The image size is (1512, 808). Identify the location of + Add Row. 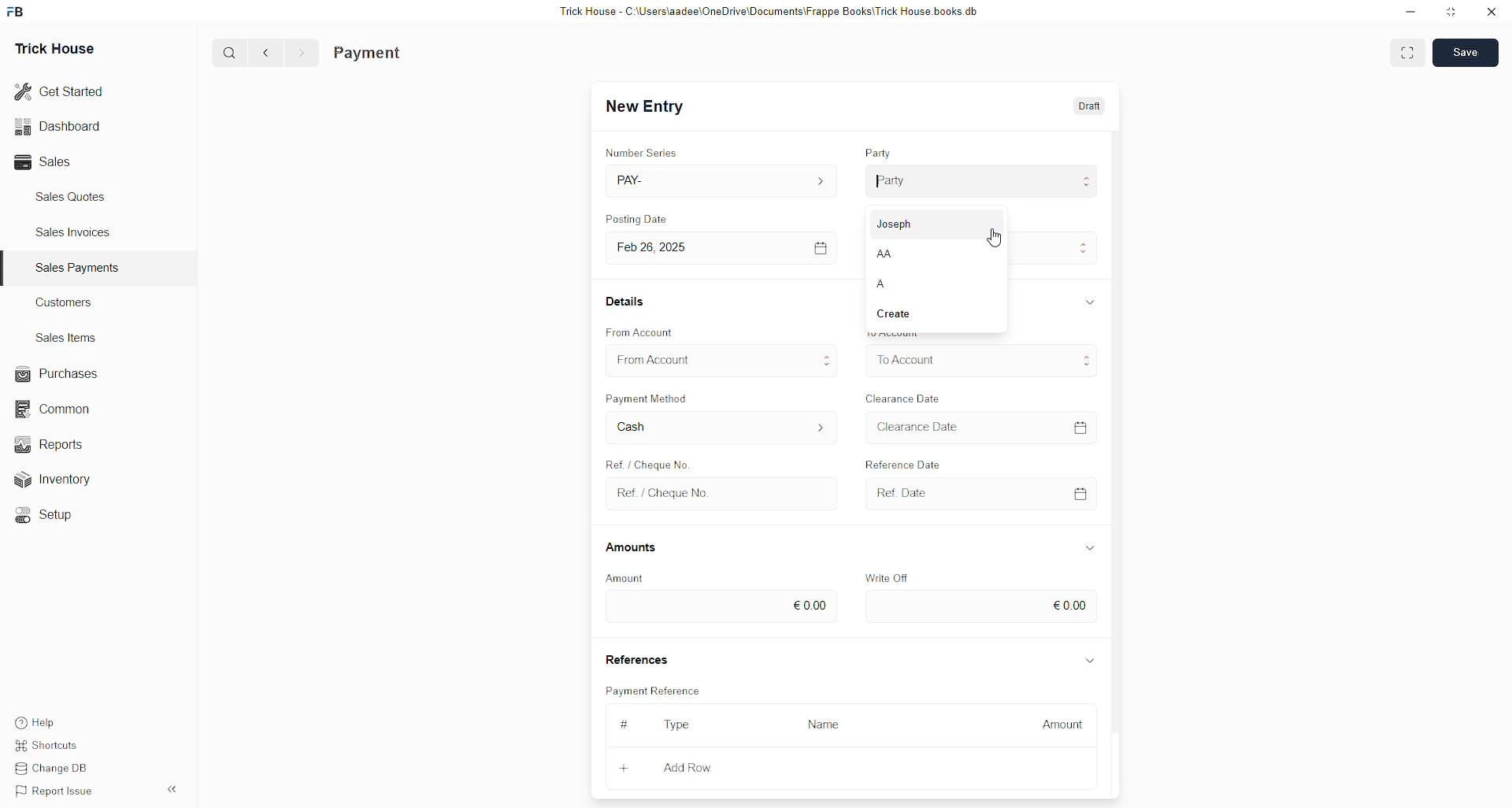
(699, 769).